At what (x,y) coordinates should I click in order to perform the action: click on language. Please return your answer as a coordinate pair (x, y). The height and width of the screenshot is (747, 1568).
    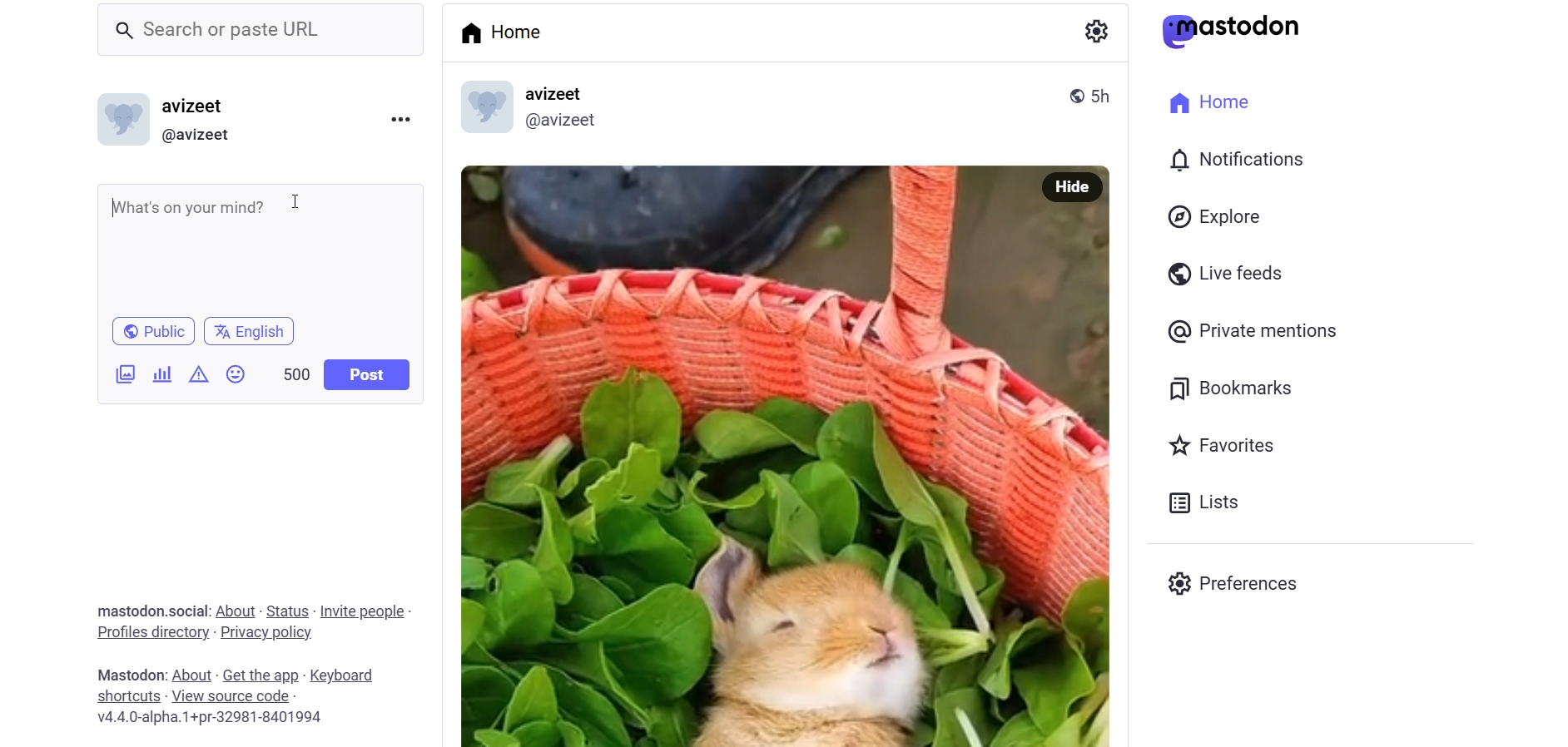
    Looking at the image, I should click on (252, 331).